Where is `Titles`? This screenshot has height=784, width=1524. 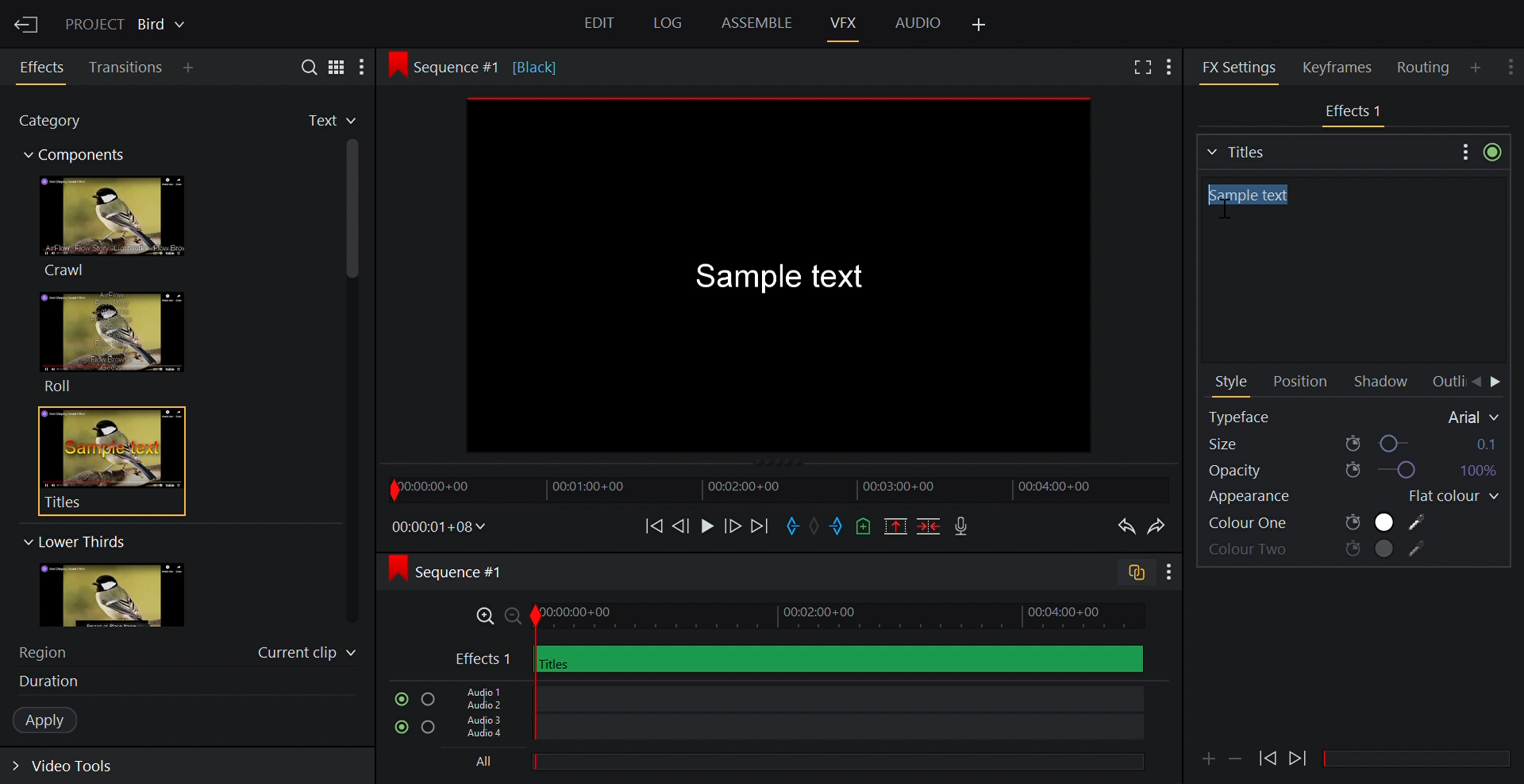 Titles is located at coordinates (102, 460).